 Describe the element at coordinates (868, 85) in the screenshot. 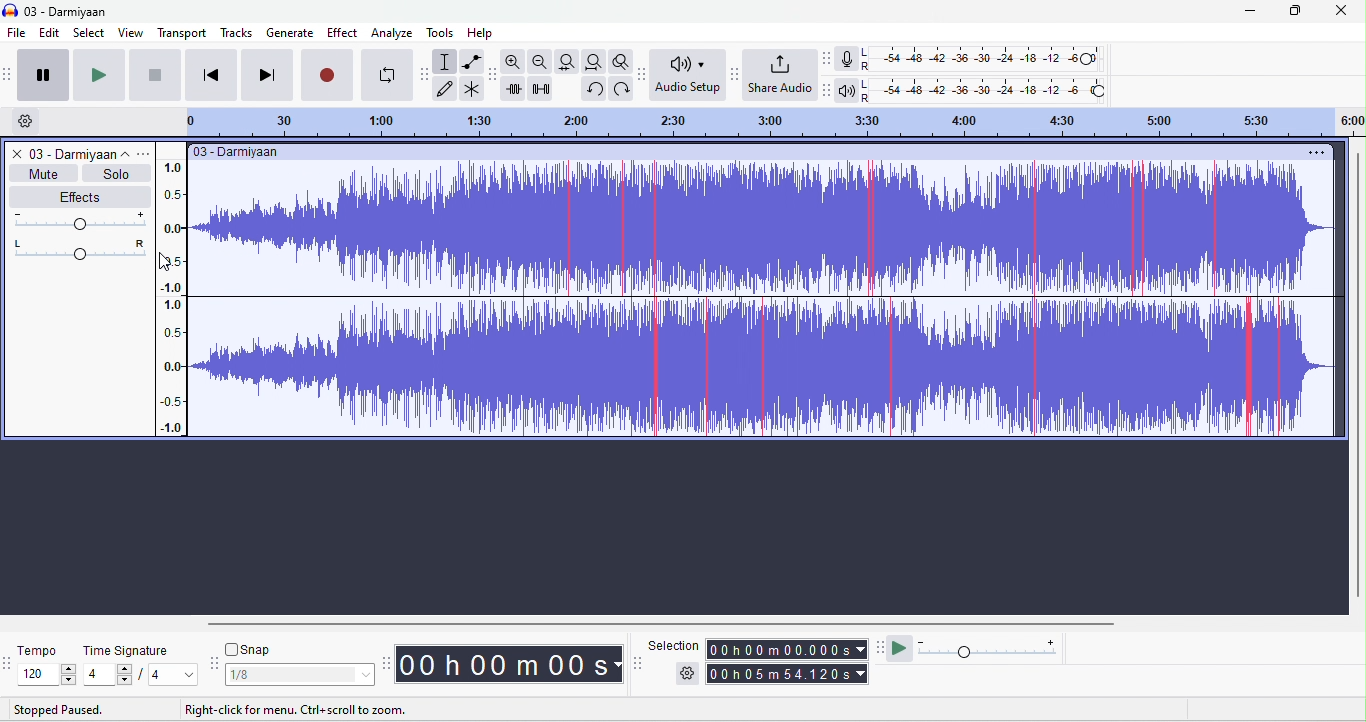

I see `L` at that location.